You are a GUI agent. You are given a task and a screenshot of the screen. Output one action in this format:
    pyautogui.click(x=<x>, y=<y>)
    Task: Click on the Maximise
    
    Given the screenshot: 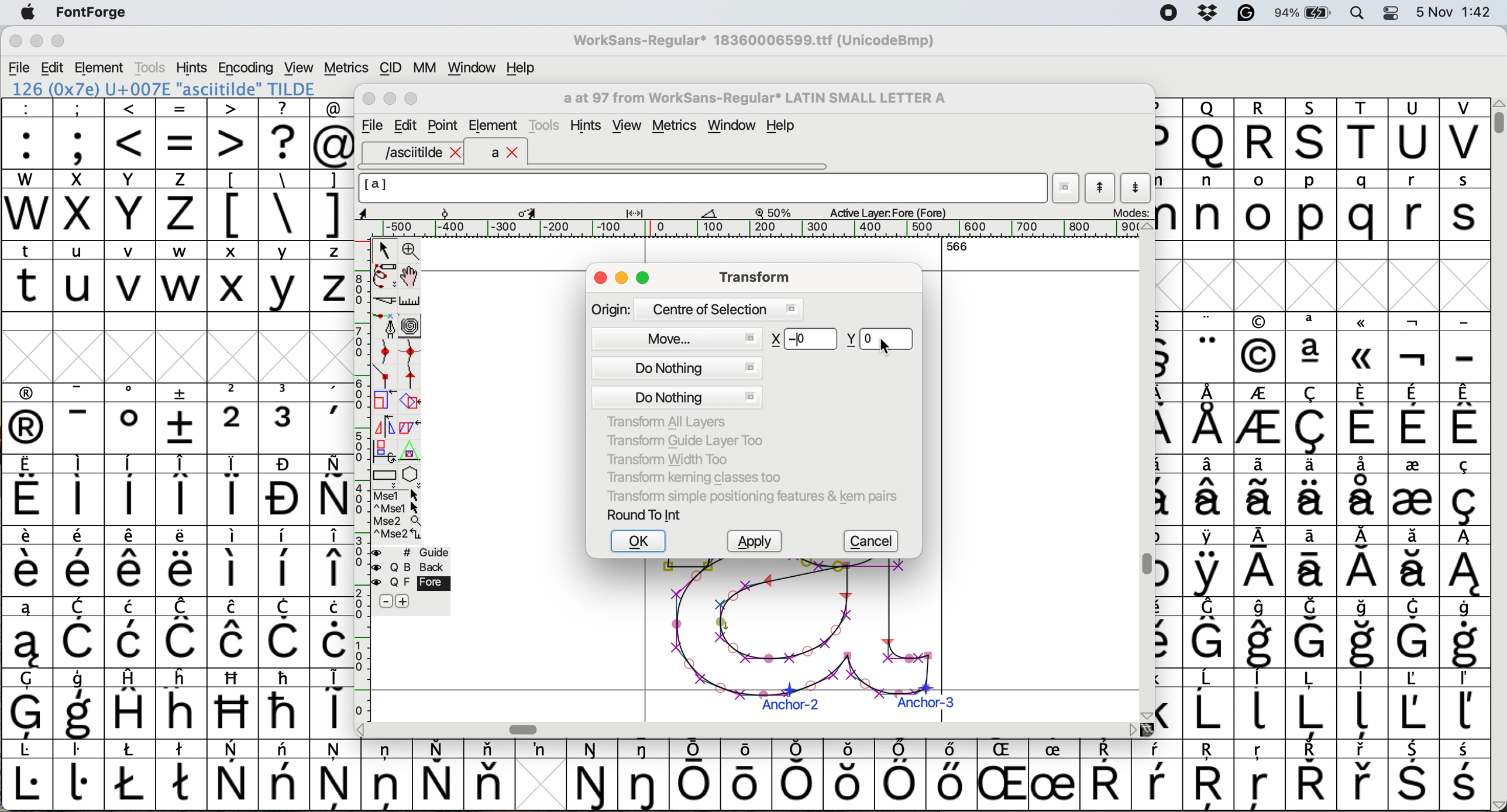 What is the action you would take?
    pyautogui.click(x=414, y=99)
    